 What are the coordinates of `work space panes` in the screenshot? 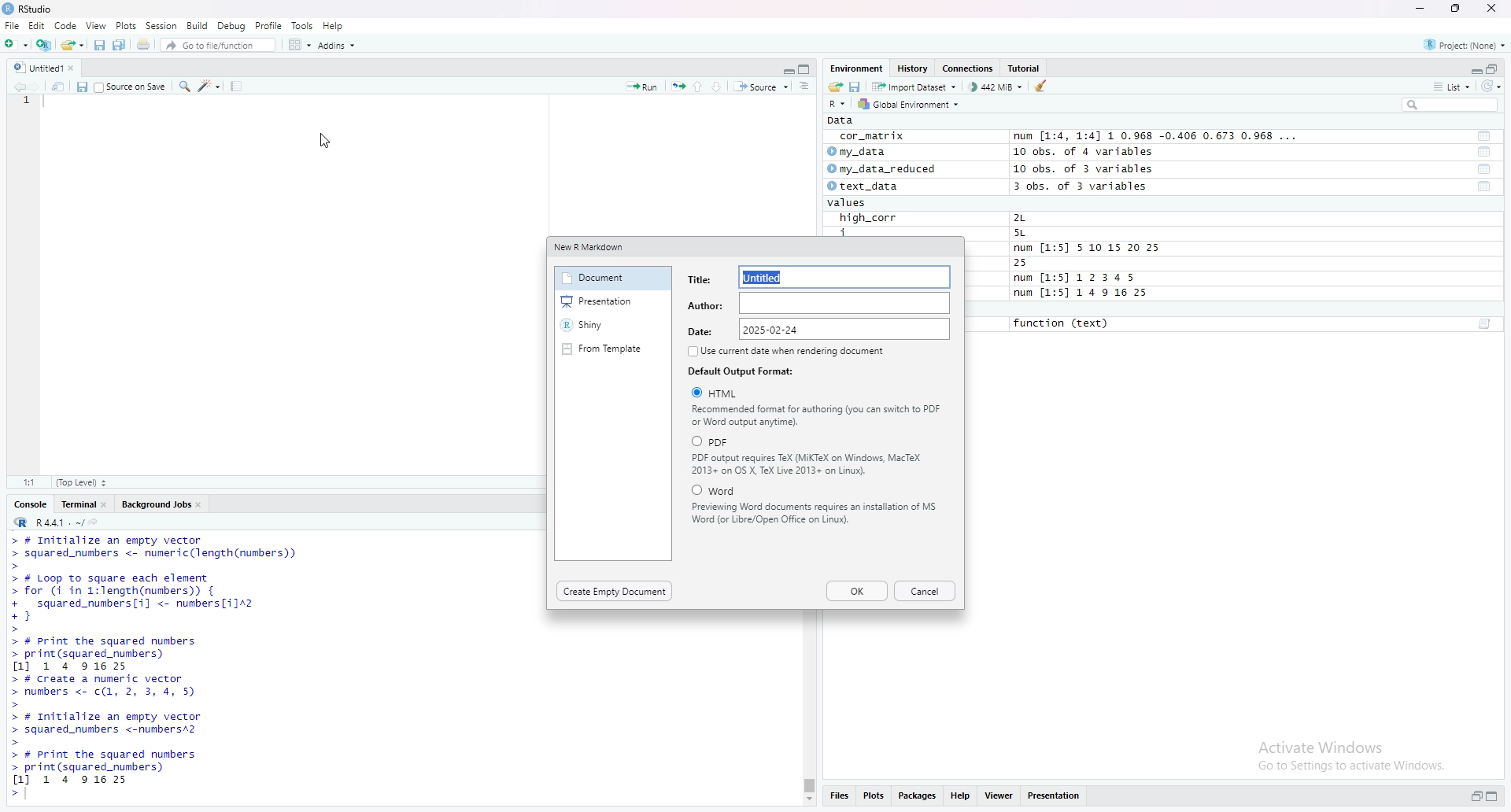 It's located at (299, 43).